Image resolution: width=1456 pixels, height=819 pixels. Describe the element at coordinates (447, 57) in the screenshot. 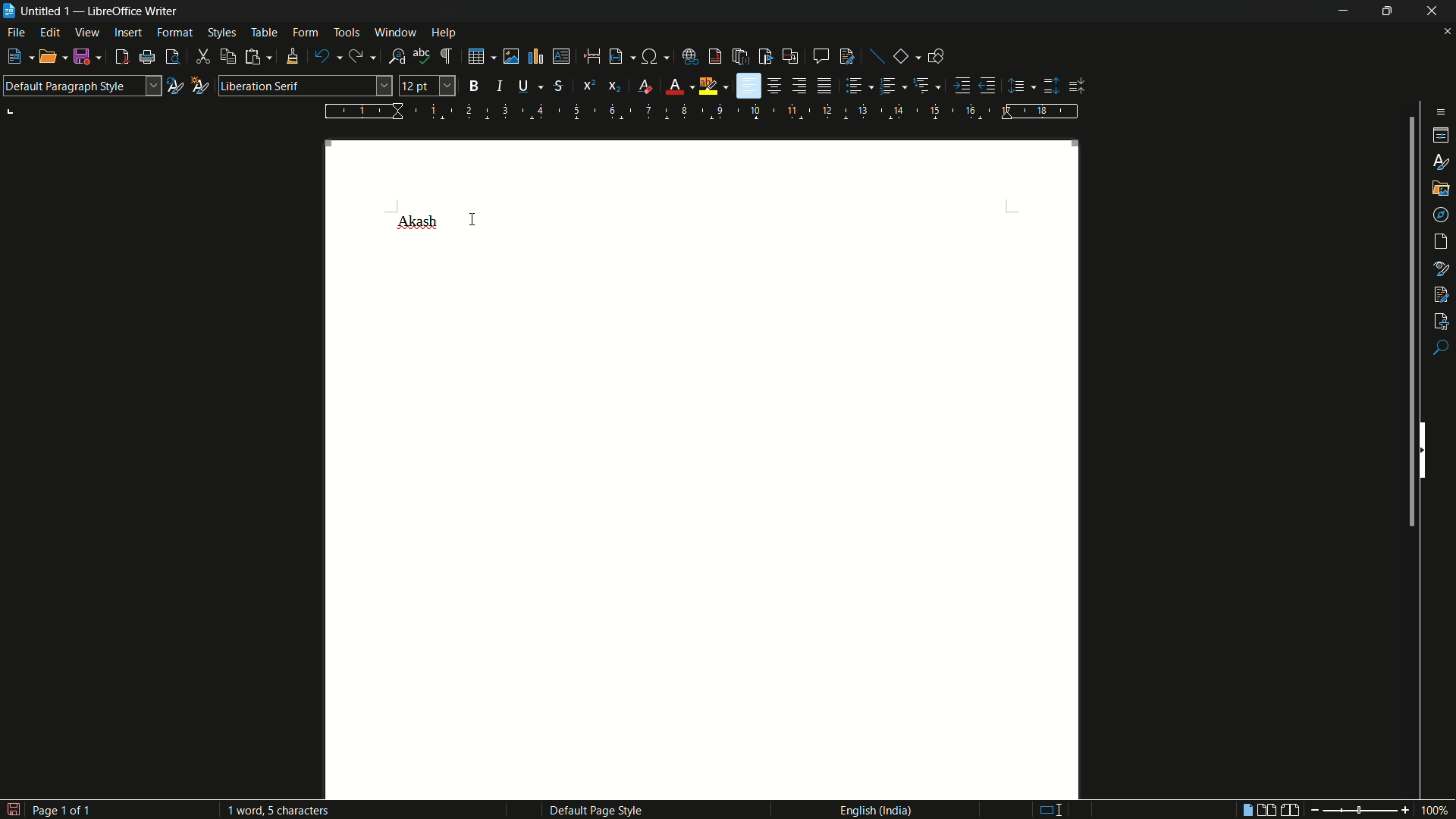

I see `toggle formatting marks` at that location.